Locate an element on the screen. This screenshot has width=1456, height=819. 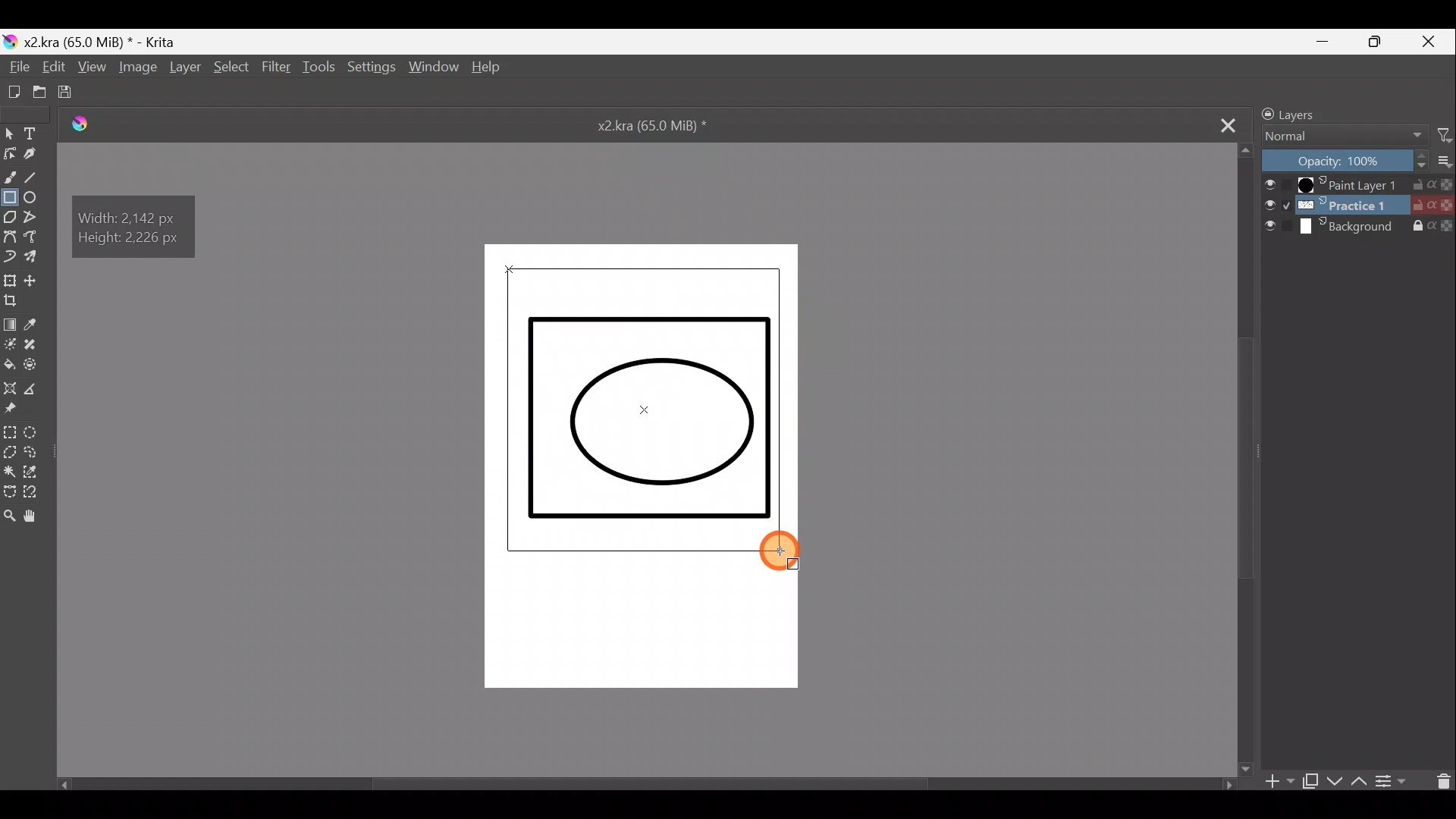
Lock/unlock docker is located at coordinates (1261, 111).